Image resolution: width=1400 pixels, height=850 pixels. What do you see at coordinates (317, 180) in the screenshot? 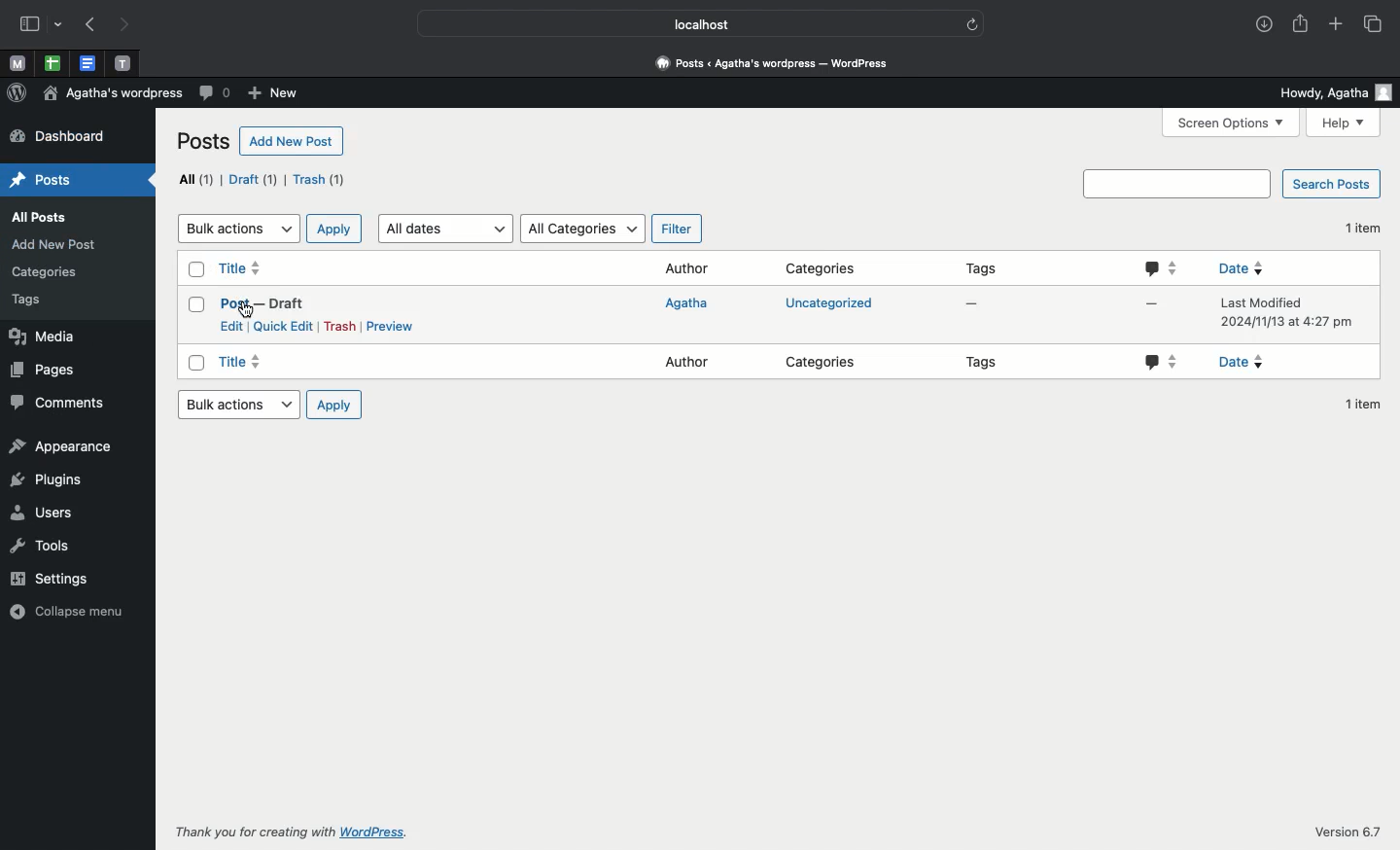
I see `Trash (1)` at bounding box center [317, 180].